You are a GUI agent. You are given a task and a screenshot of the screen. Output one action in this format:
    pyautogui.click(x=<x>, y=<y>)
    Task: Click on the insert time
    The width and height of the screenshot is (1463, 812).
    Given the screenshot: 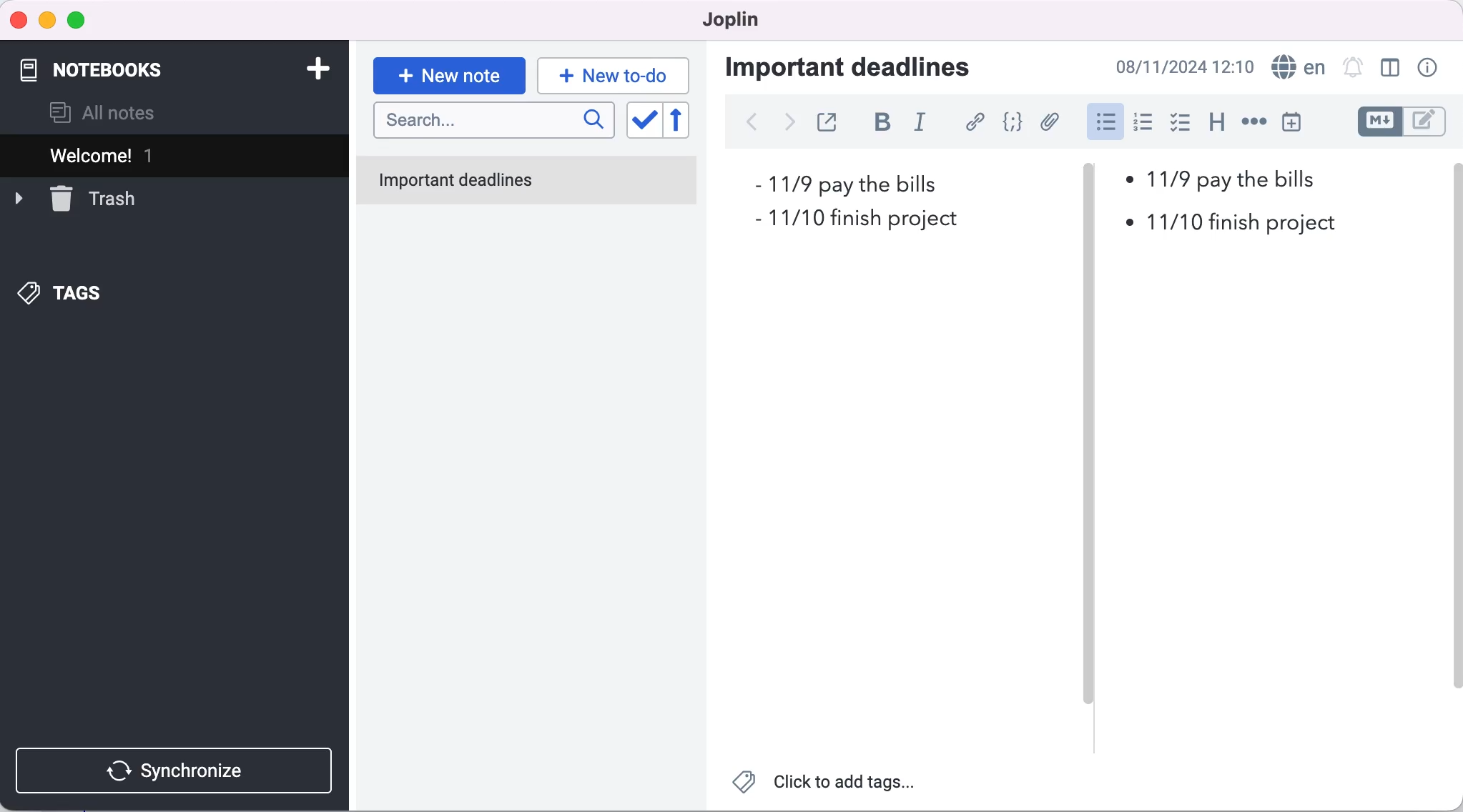 What is the action you would take?
    pyautogui.click(x=1300, y=122)
    